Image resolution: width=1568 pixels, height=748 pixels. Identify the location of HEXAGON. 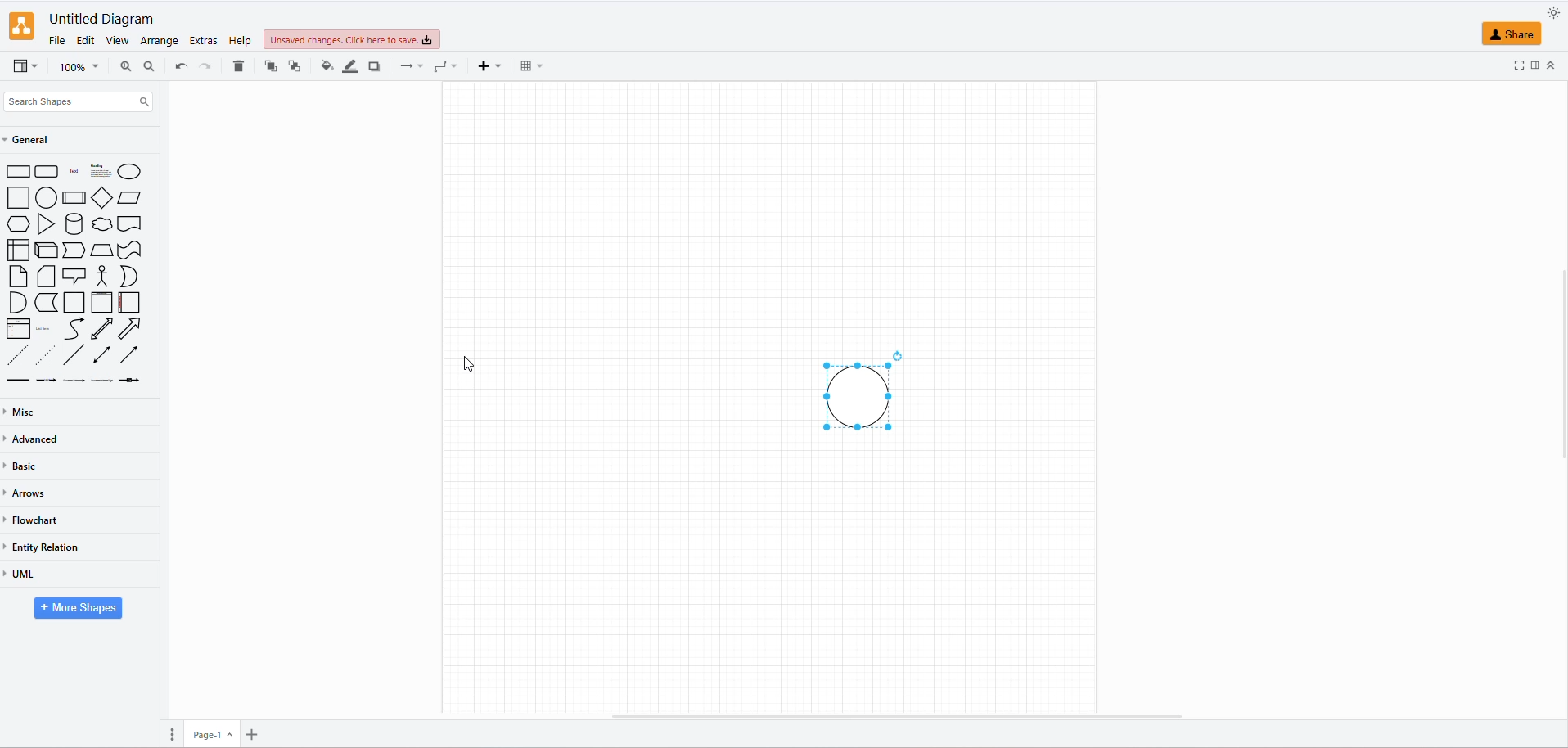
(20, 223).